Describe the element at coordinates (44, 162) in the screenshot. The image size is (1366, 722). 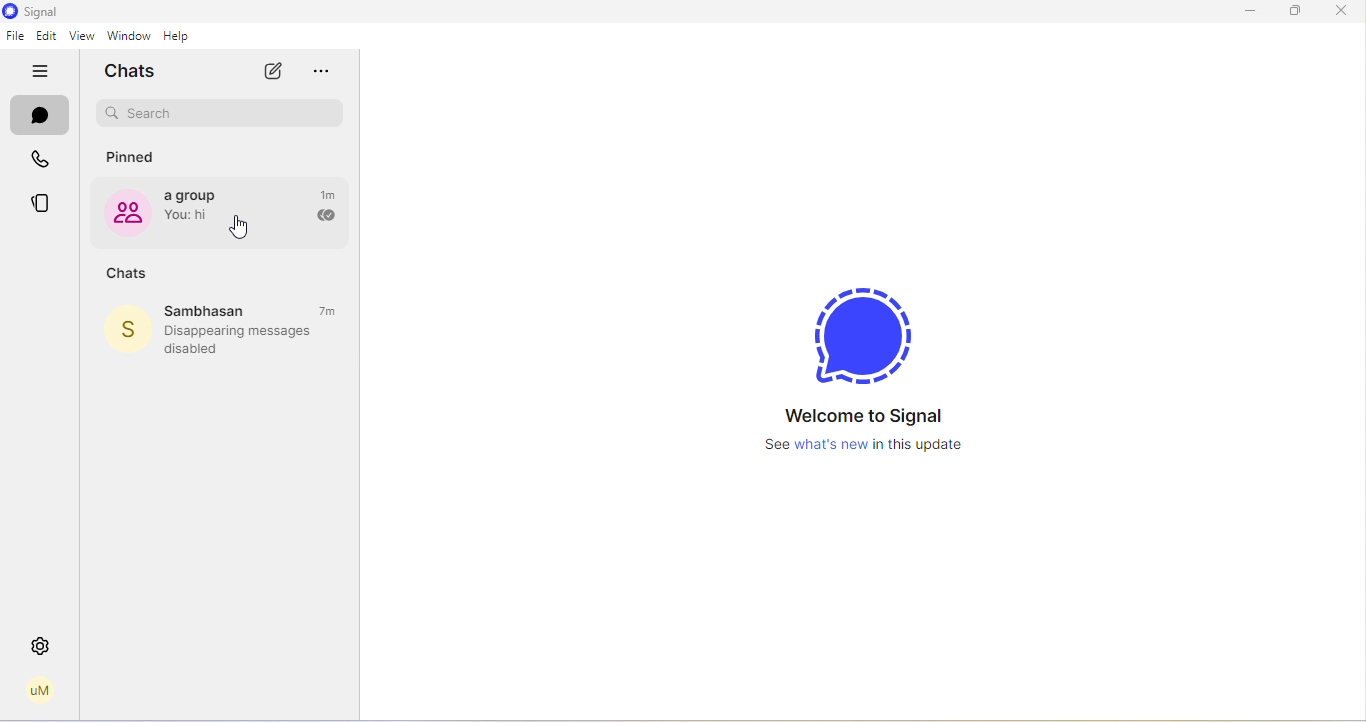
I see `calls` at that location.